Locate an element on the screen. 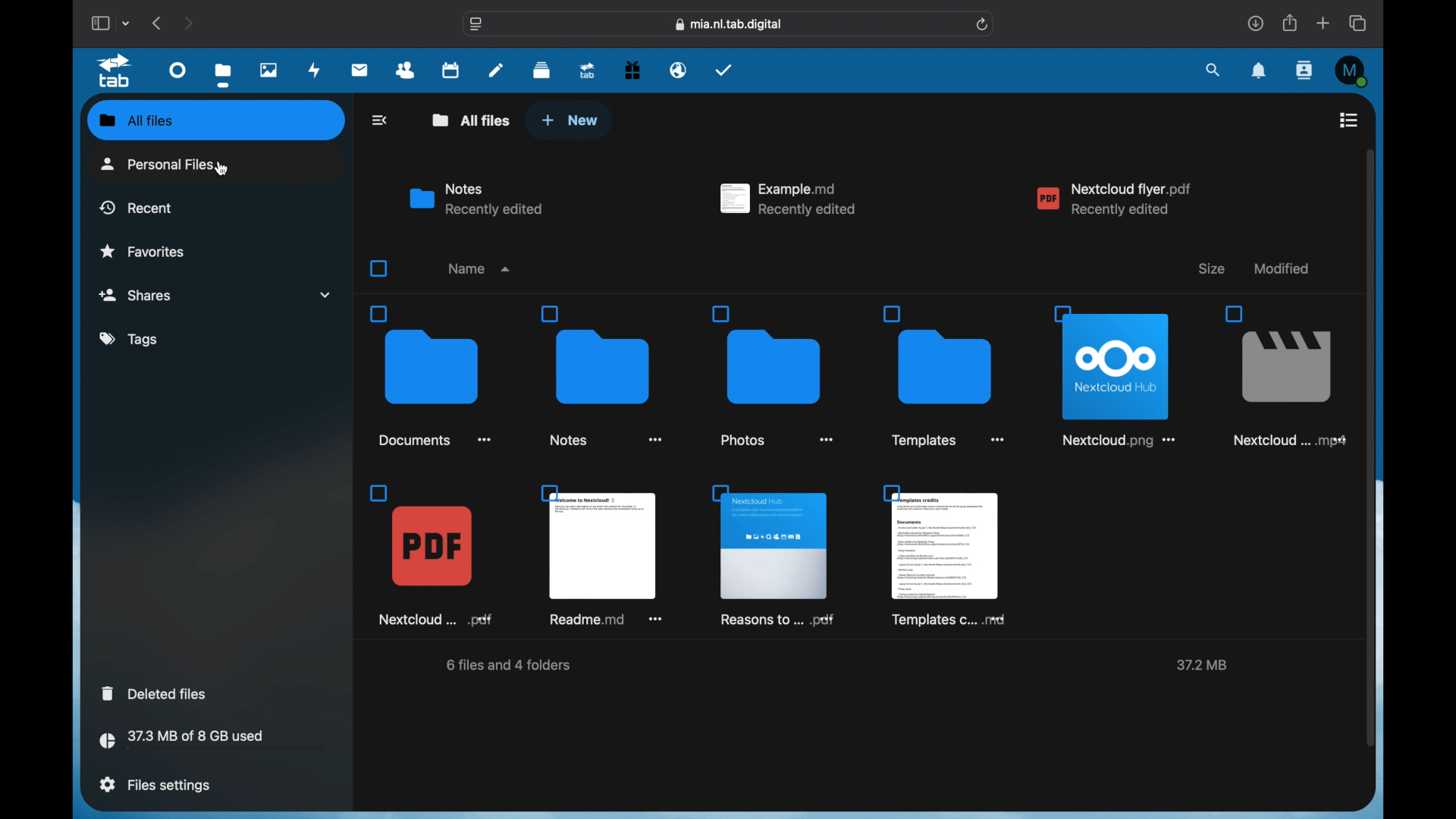 The image size is (1456, 819). contacts is located at coordinates (406, 71).